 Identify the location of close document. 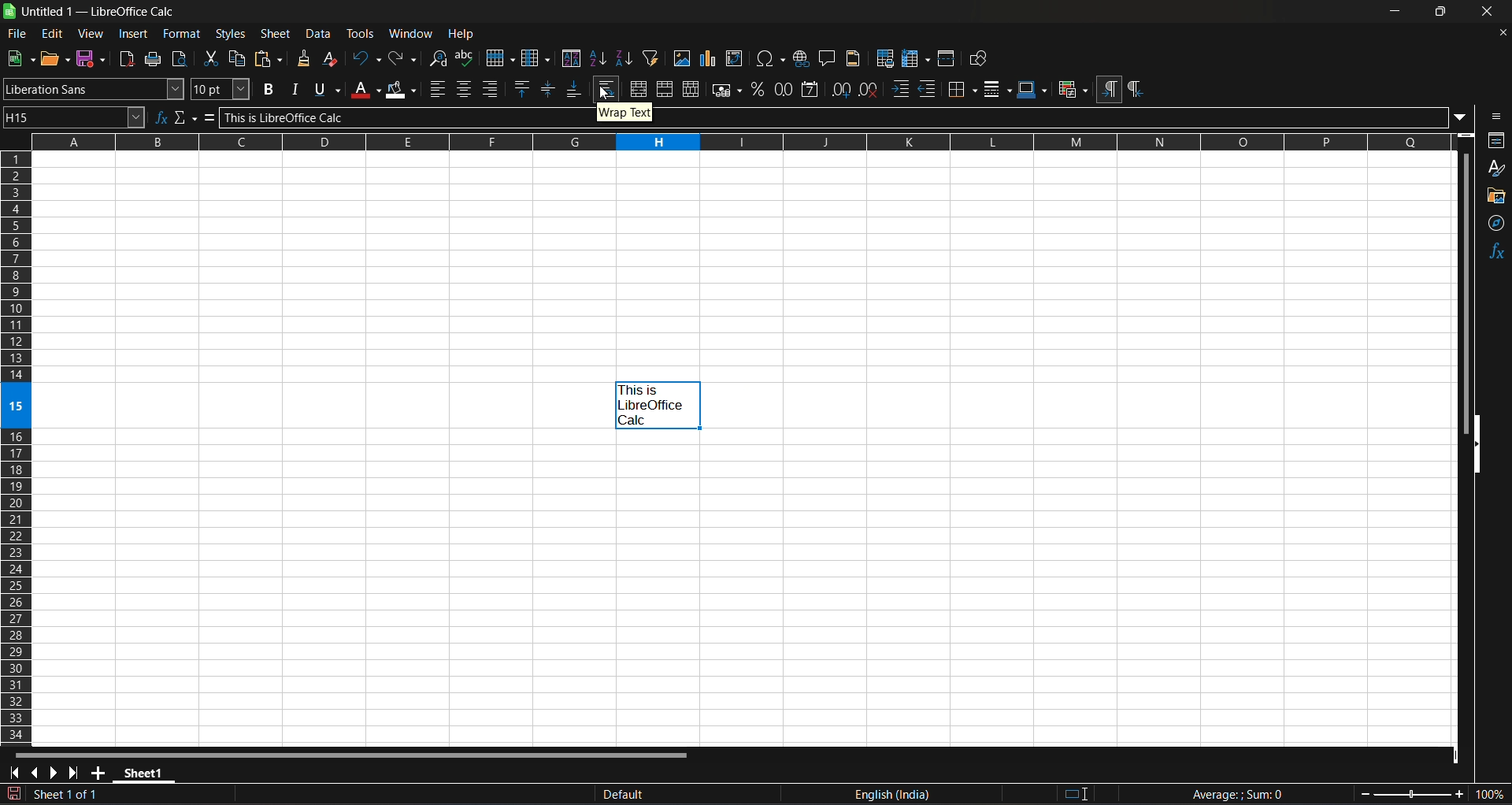
(1504, 33).